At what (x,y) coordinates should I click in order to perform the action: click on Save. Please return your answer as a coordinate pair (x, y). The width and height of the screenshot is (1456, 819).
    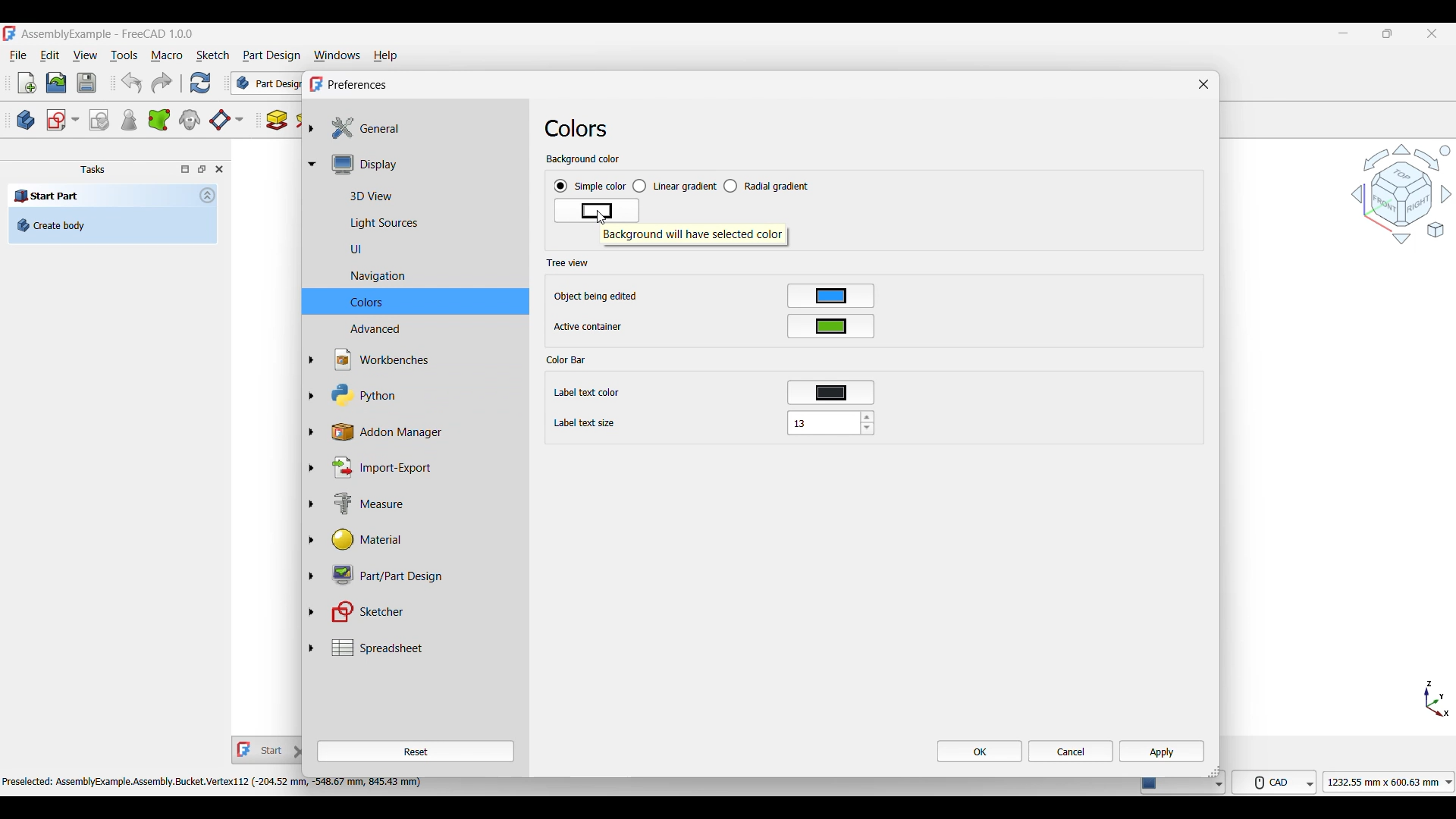
    Looking at the image, I should click on (86, 83).